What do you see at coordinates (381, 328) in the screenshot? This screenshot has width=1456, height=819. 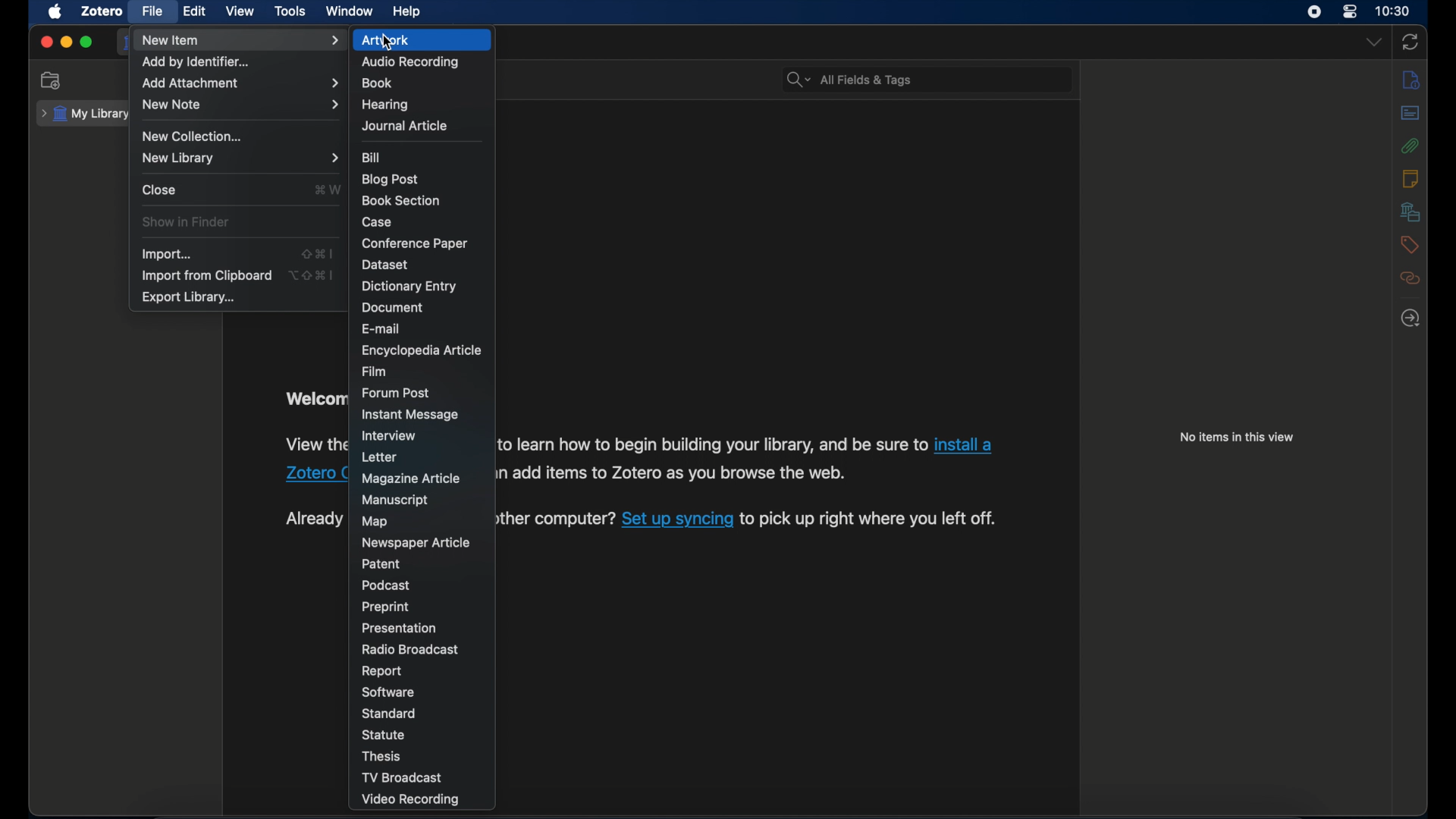 I see `e-mail` at bounding box center [381, 328].